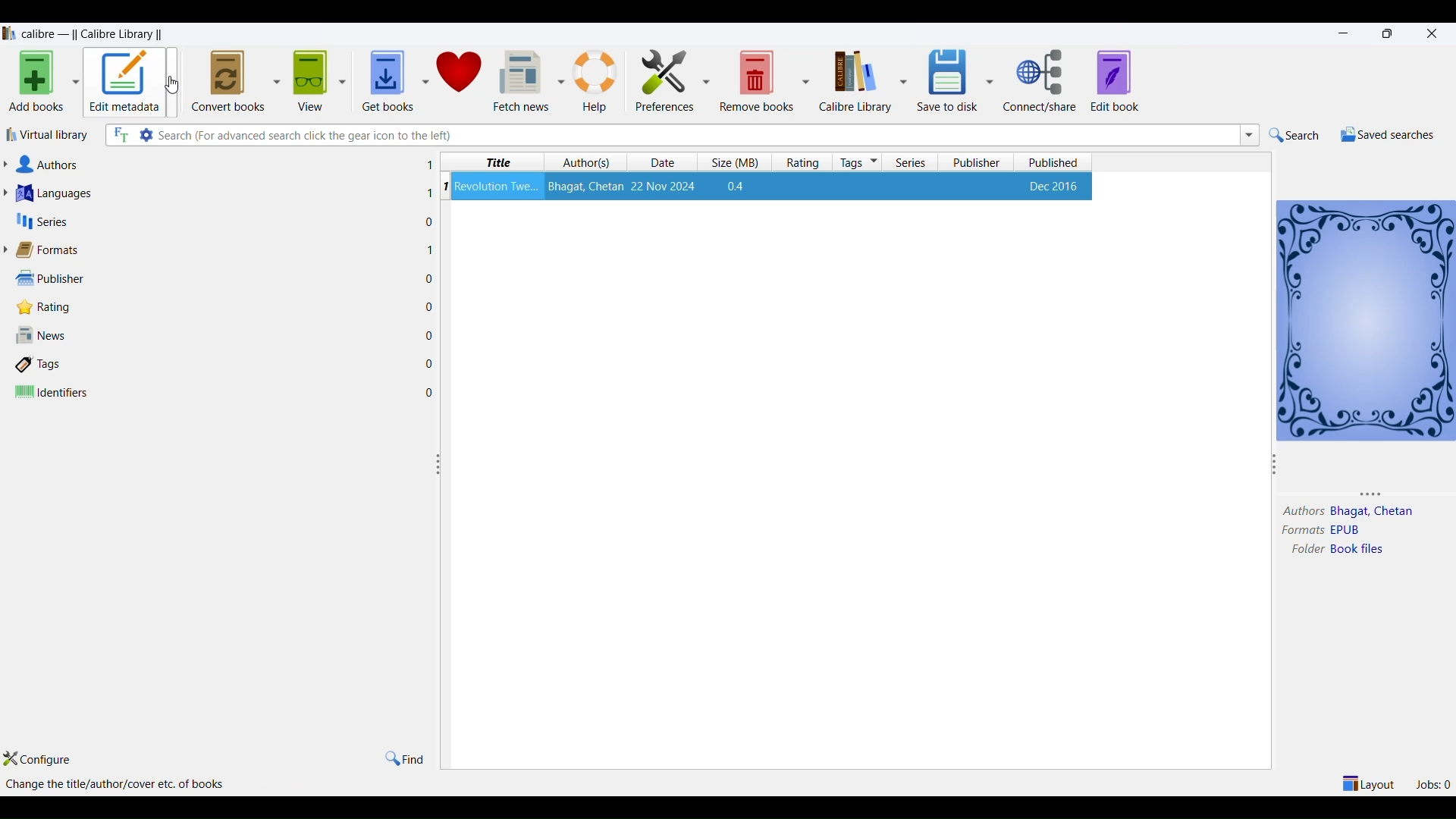  What do you see at coordinates (805, 162) in the screenshot?
I see `rating` at bounding box center [805, 162].